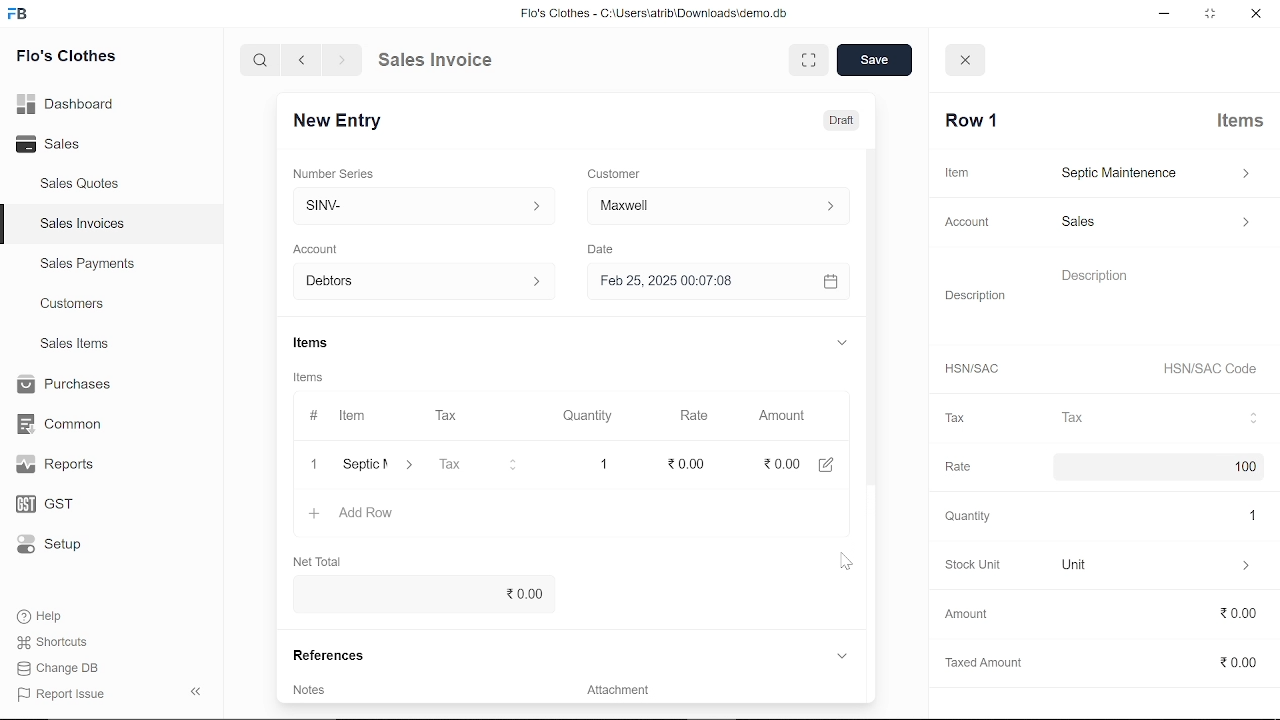  I want to click on unit, so click(1158, 566).